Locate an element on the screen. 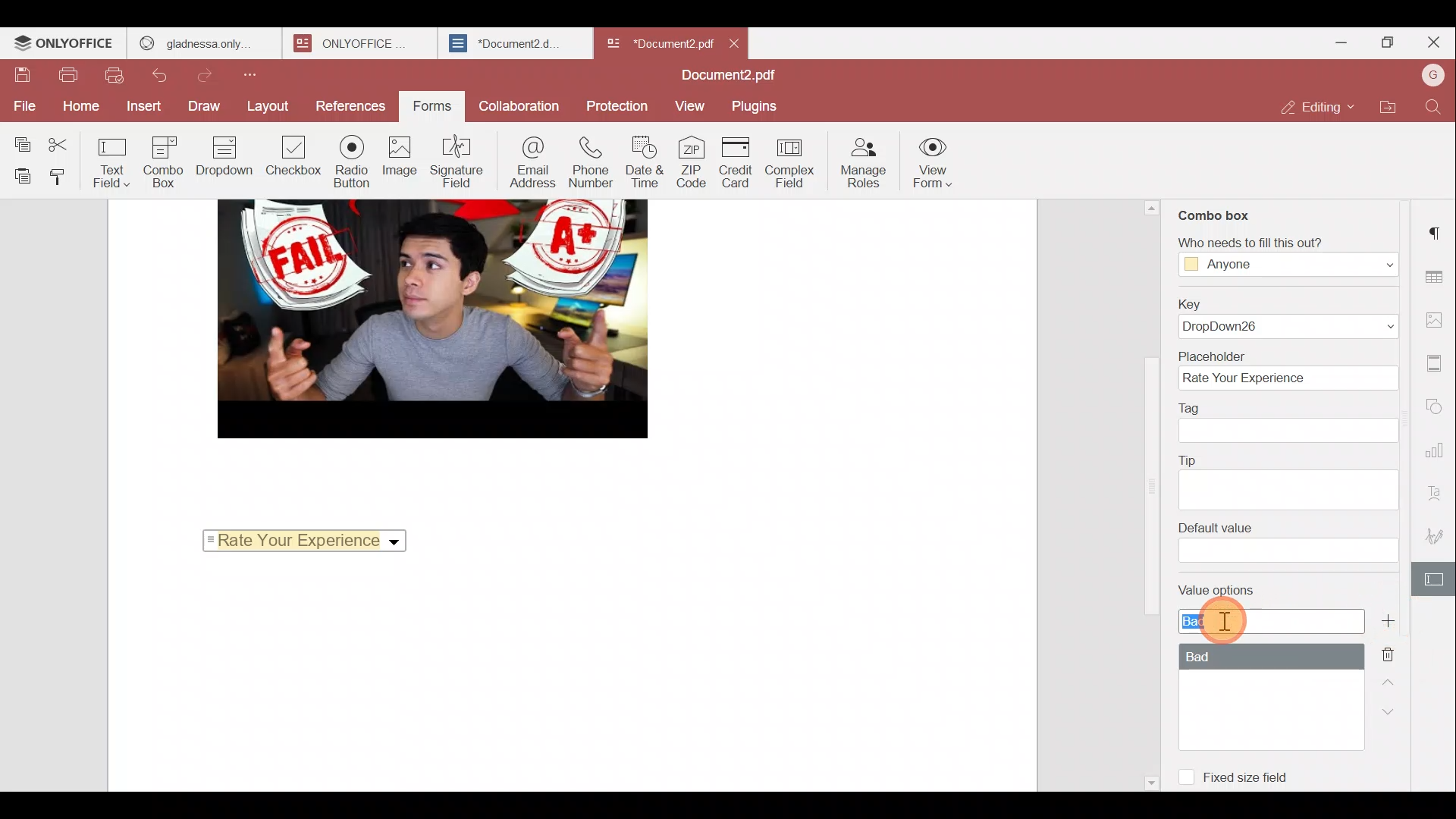 This screenshot has width=1456, height=819. Add value is located at coordinates (1391, 620).